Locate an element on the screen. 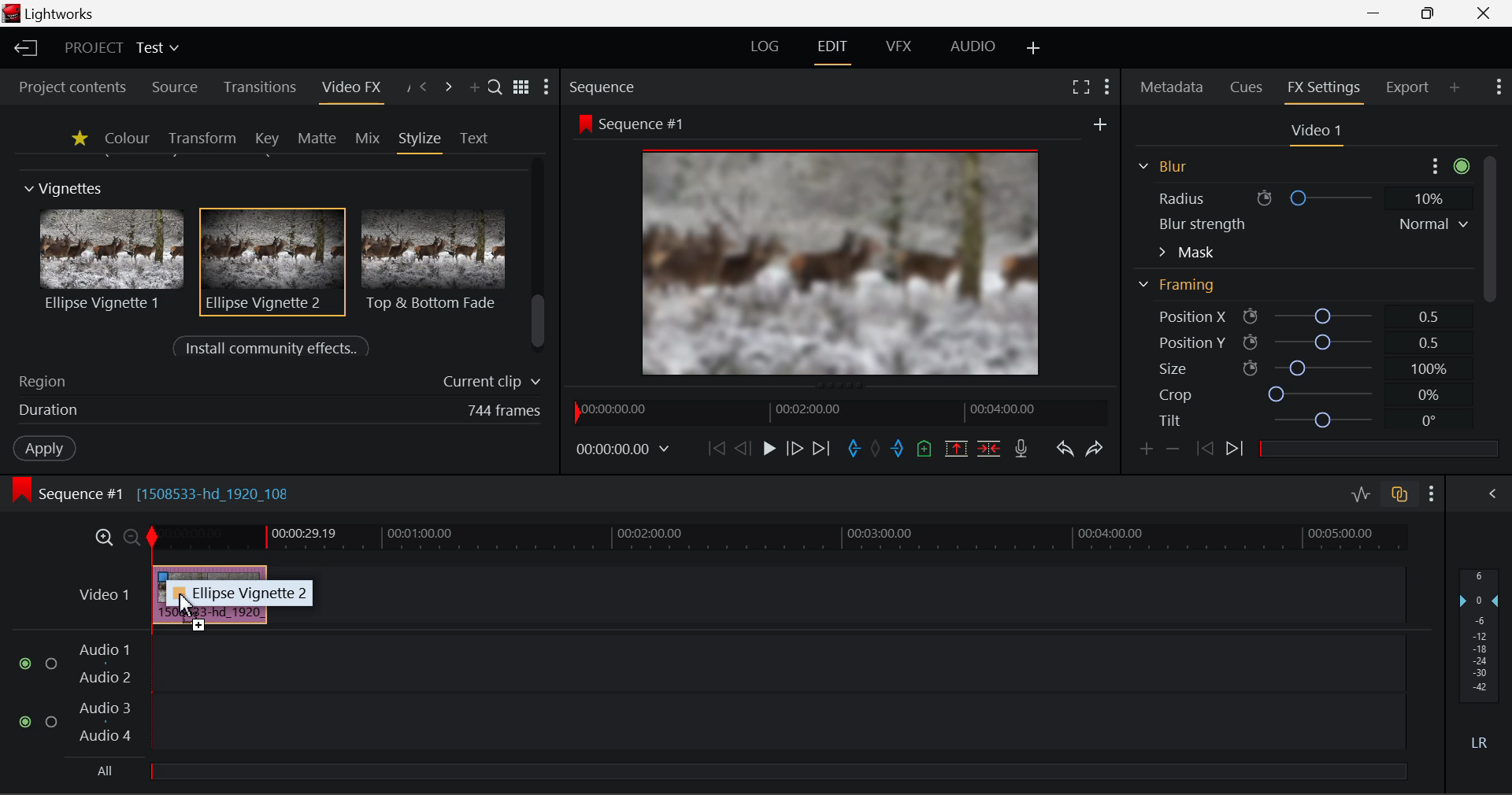  Cues is located at coordinates (1249, 88).